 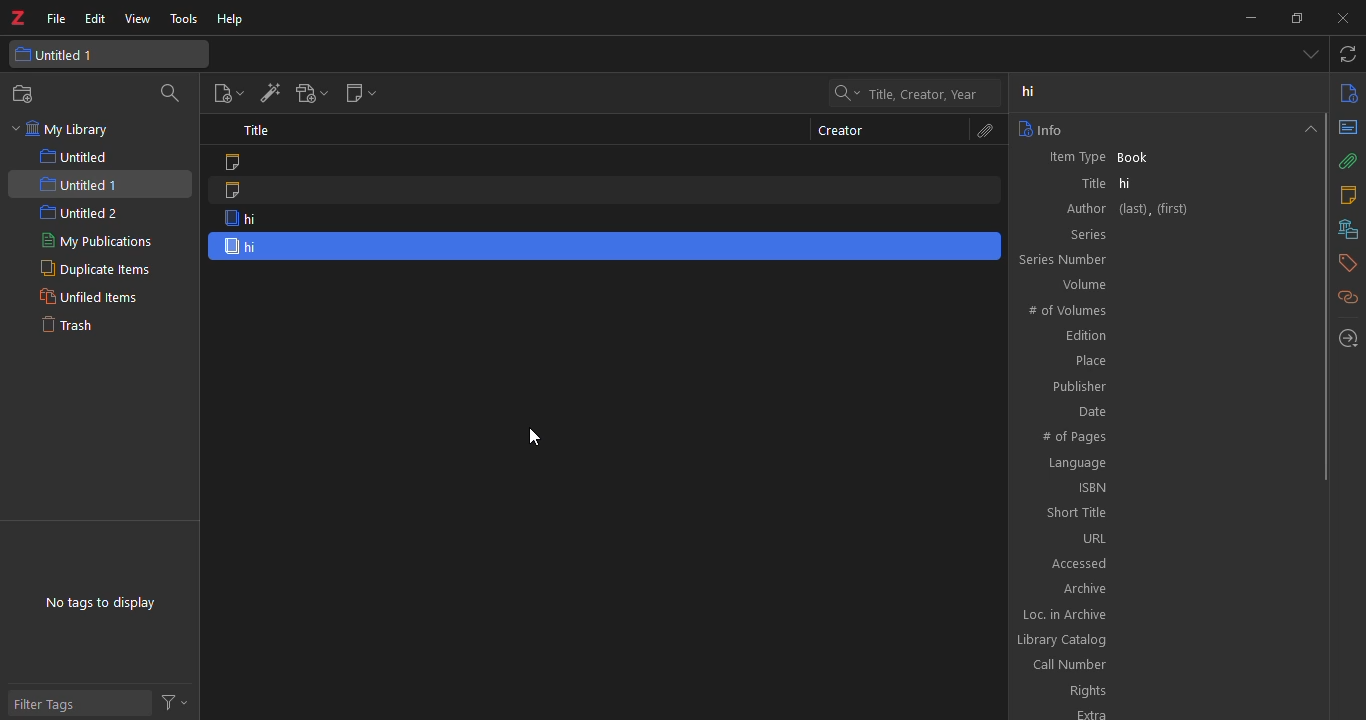 What do you see at coordinates (45, 705) in the screenshot?
I see `filter tags` at bounding box center [45, 705].